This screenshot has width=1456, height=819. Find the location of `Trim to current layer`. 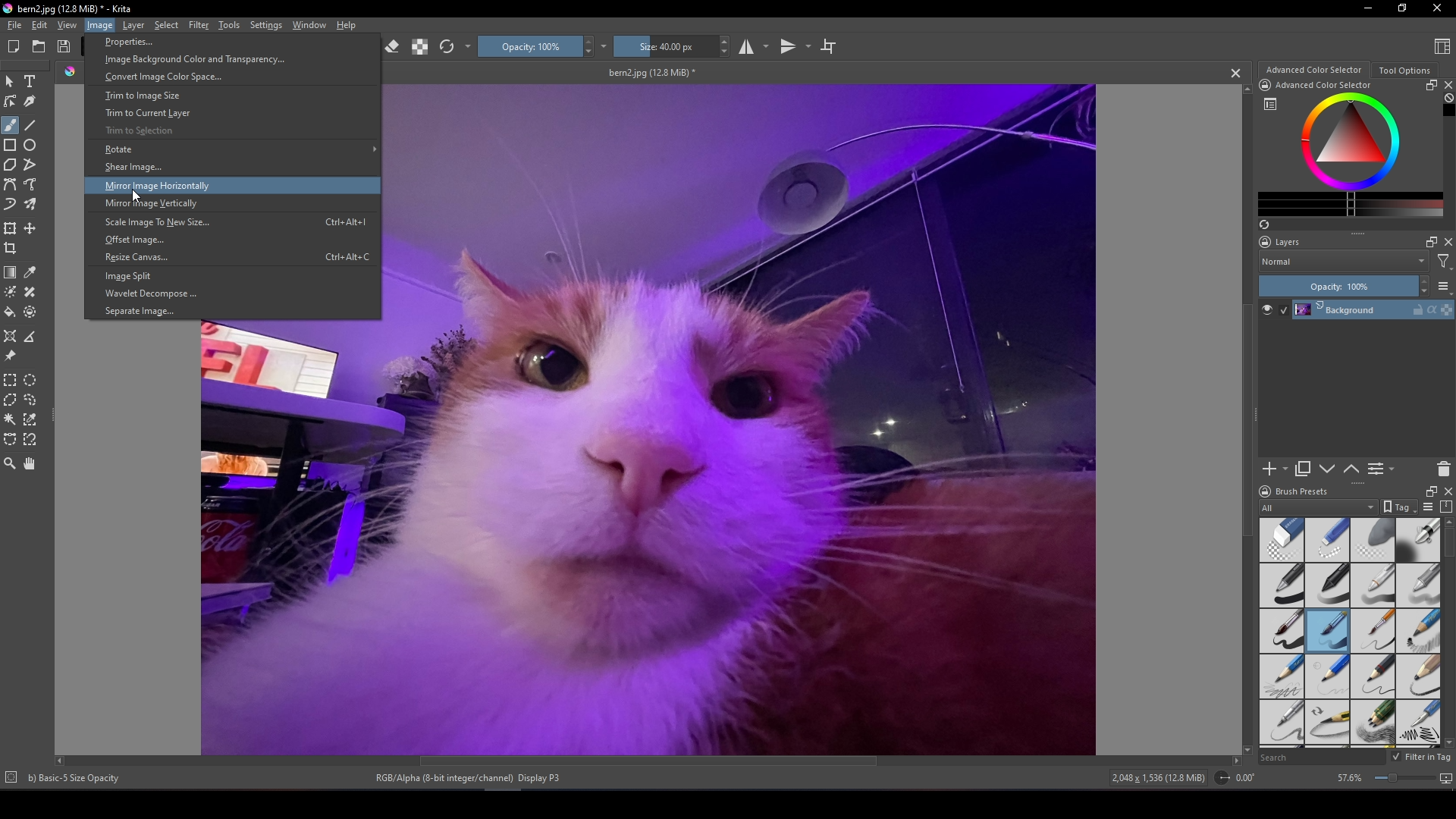

Trim to current layer is located at coordinates (233, 112).